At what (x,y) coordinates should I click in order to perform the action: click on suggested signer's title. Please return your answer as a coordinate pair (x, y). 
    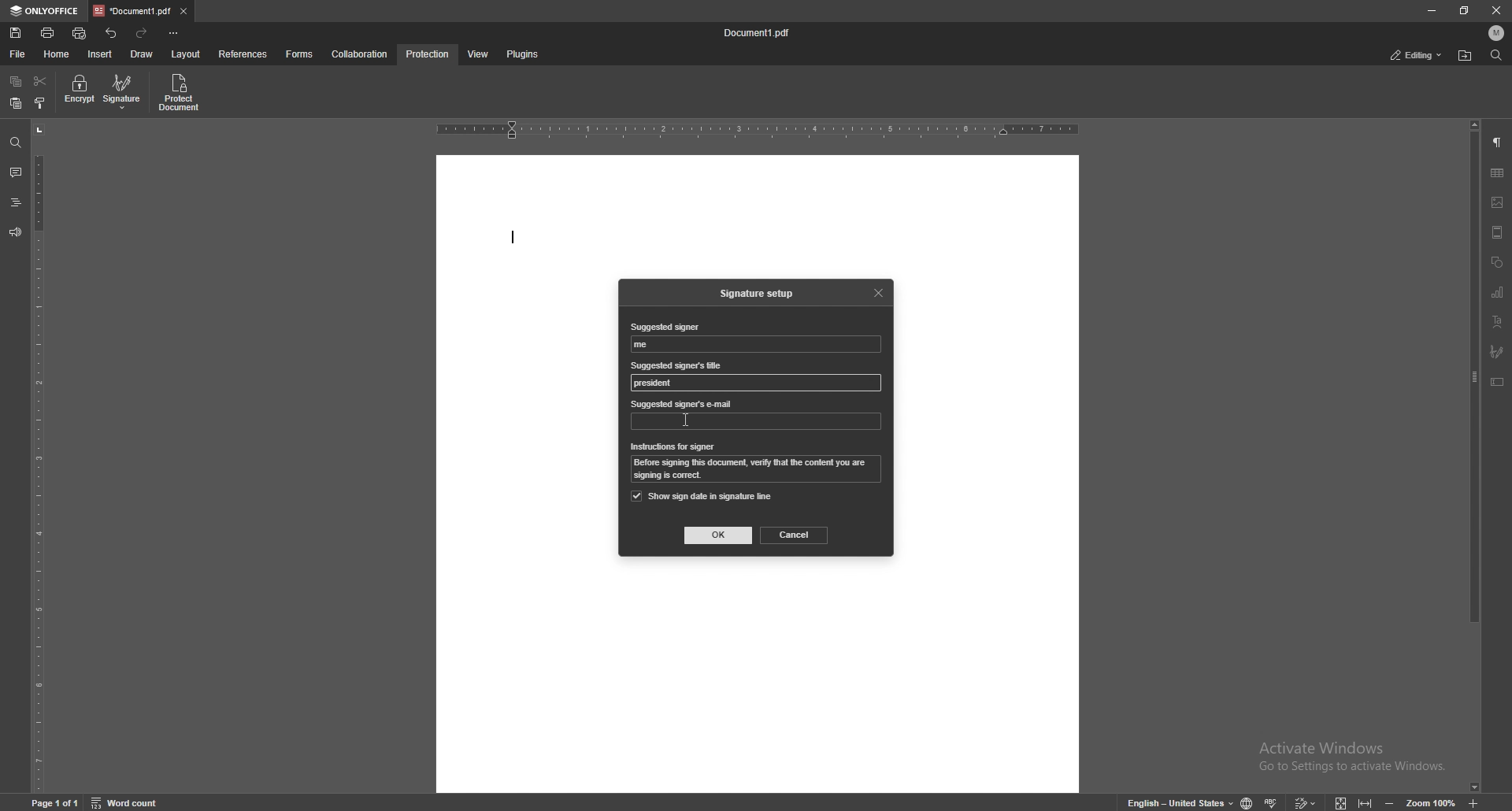
    Looking at the image, I should click on (656, 383).